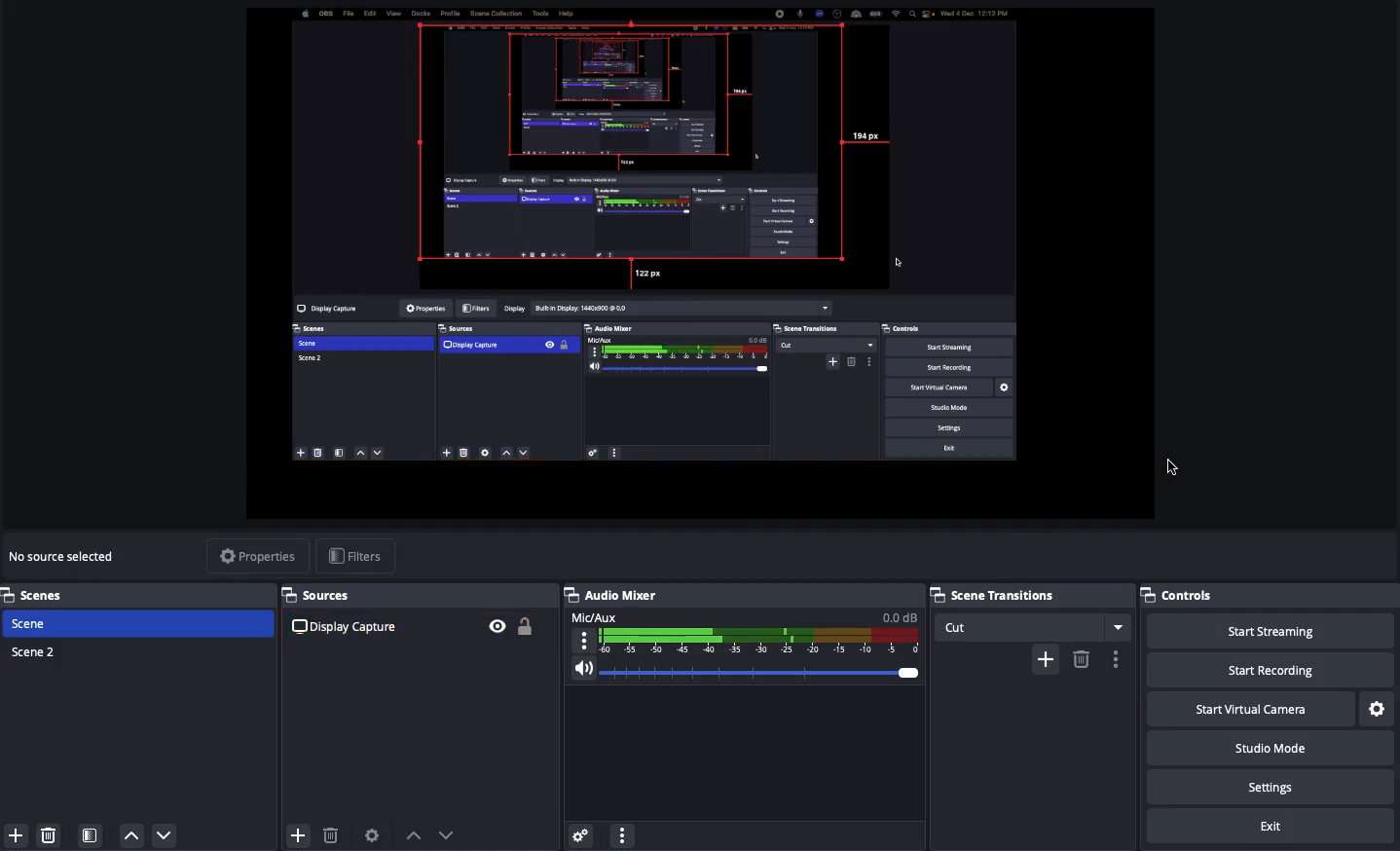  I want to click on Down, so click(448, 832).